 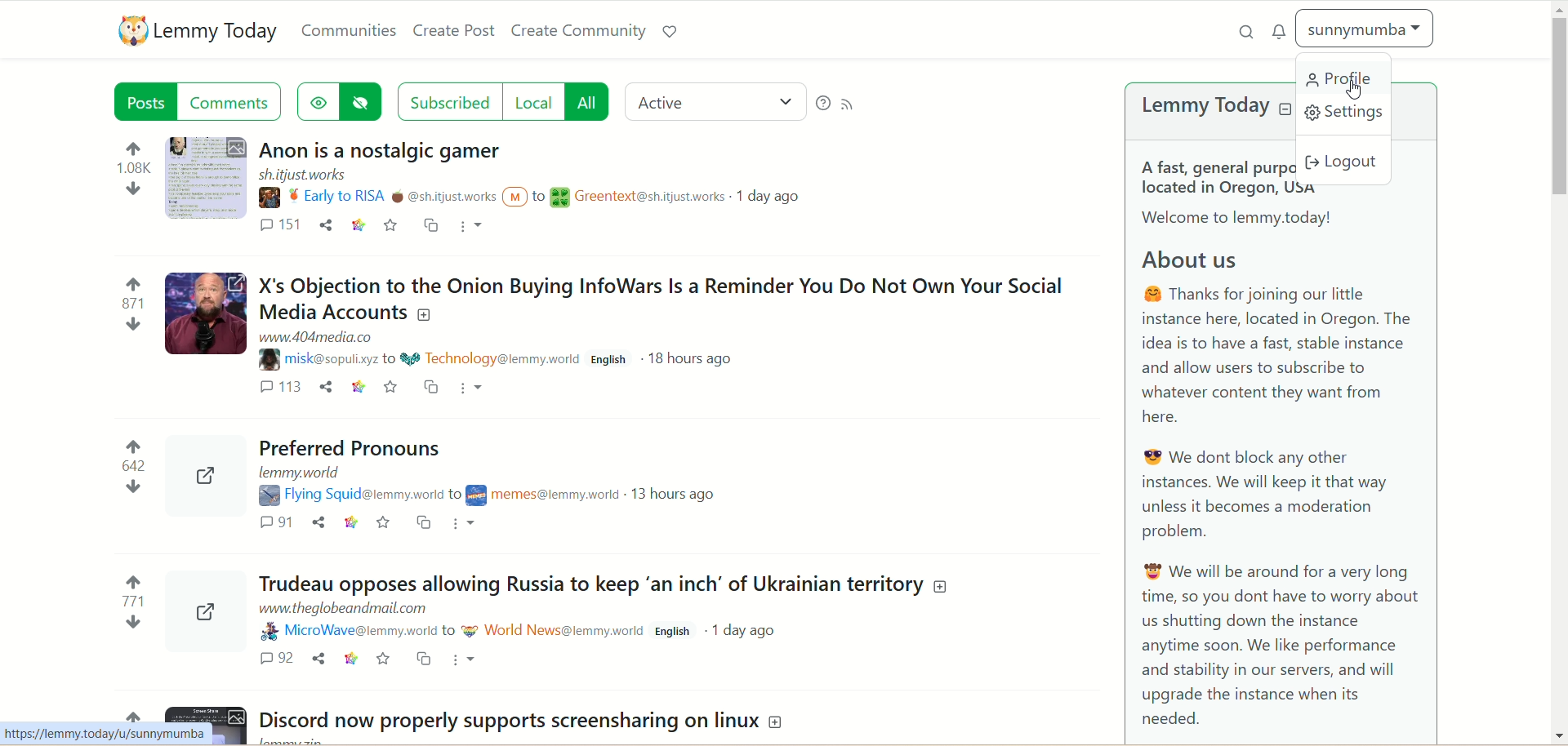 What do you see at coordinates (192, 30) in the screenshot?
I see `lemmy today logo and name` at bounding box center [192, 30].